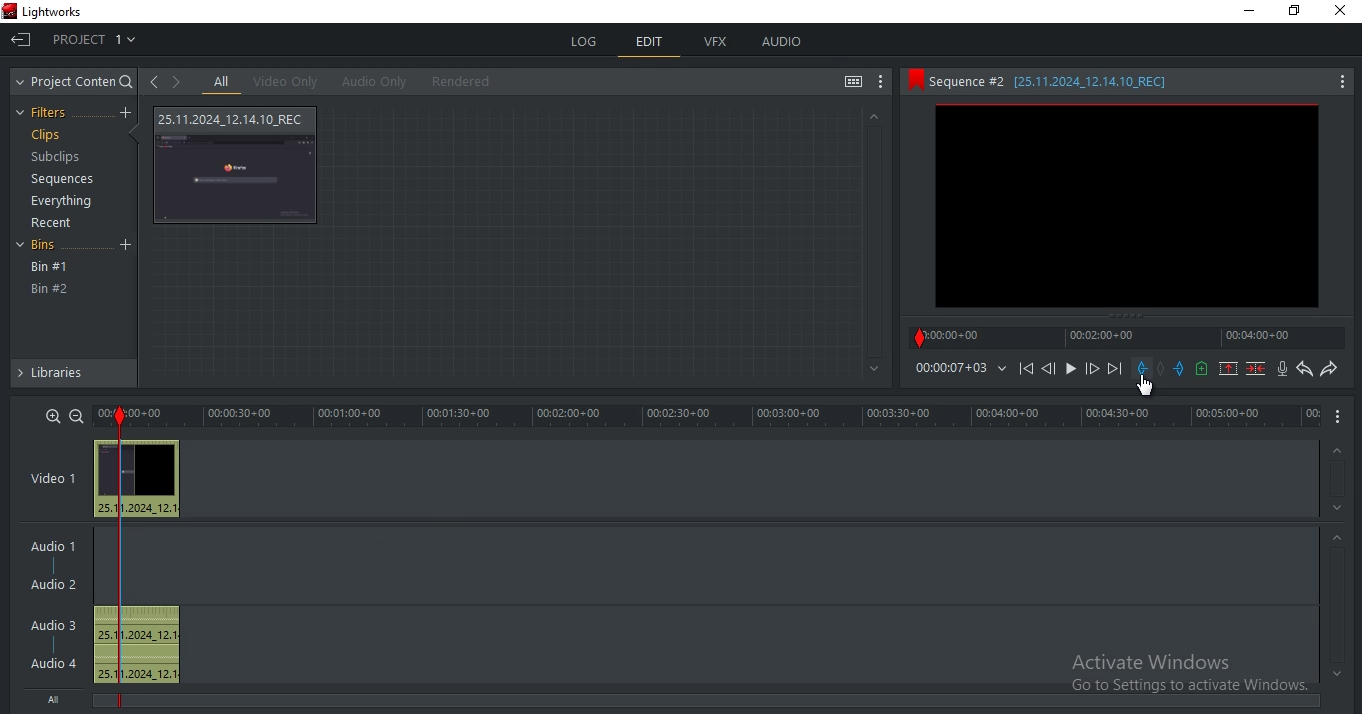  Describe the element at coordinates (1339, 448) in the screenshot. I see `Up` at that location.